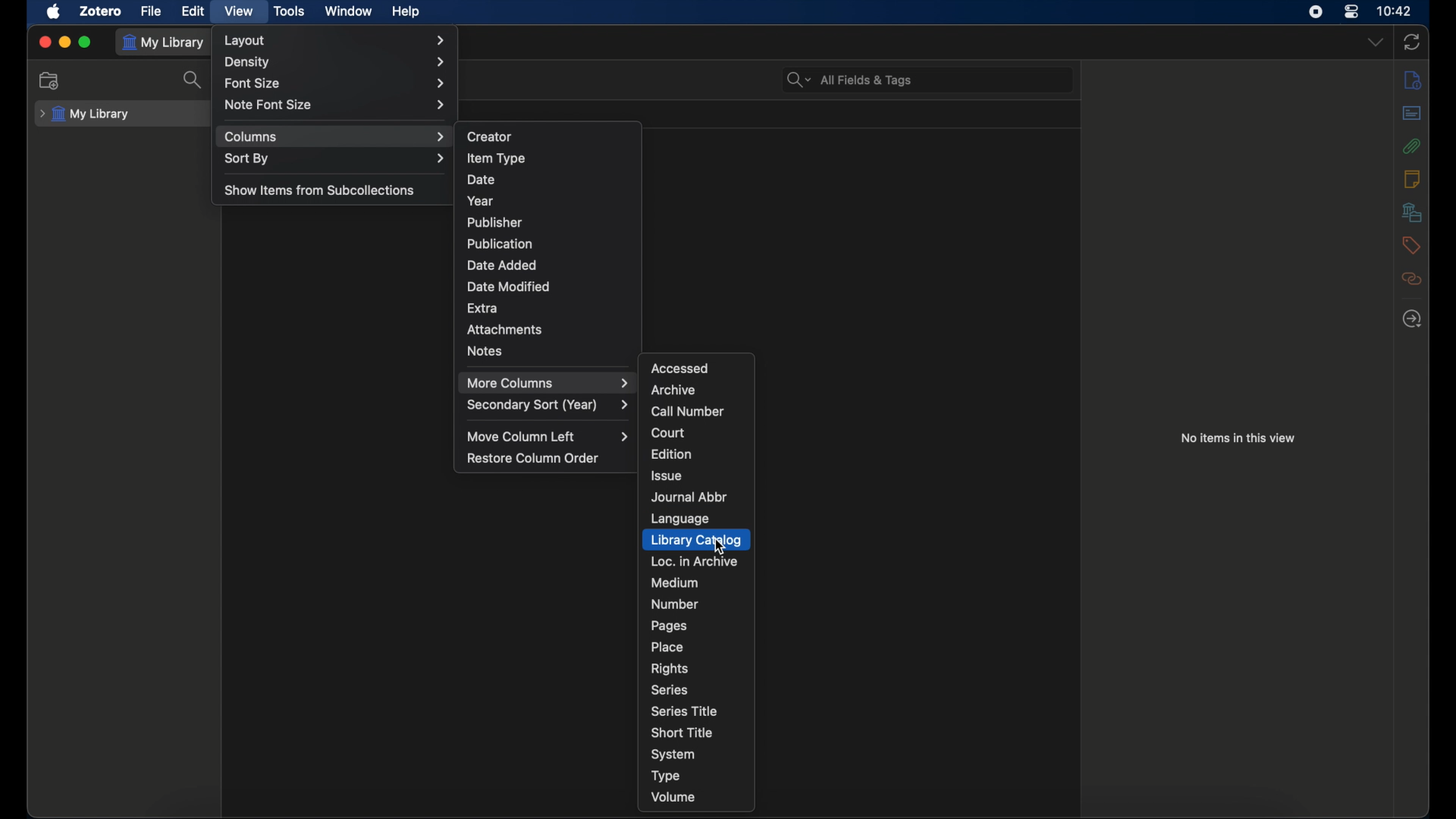 The image size is (1456, 819). I want to click on screen recorder, so click(1316, 11).